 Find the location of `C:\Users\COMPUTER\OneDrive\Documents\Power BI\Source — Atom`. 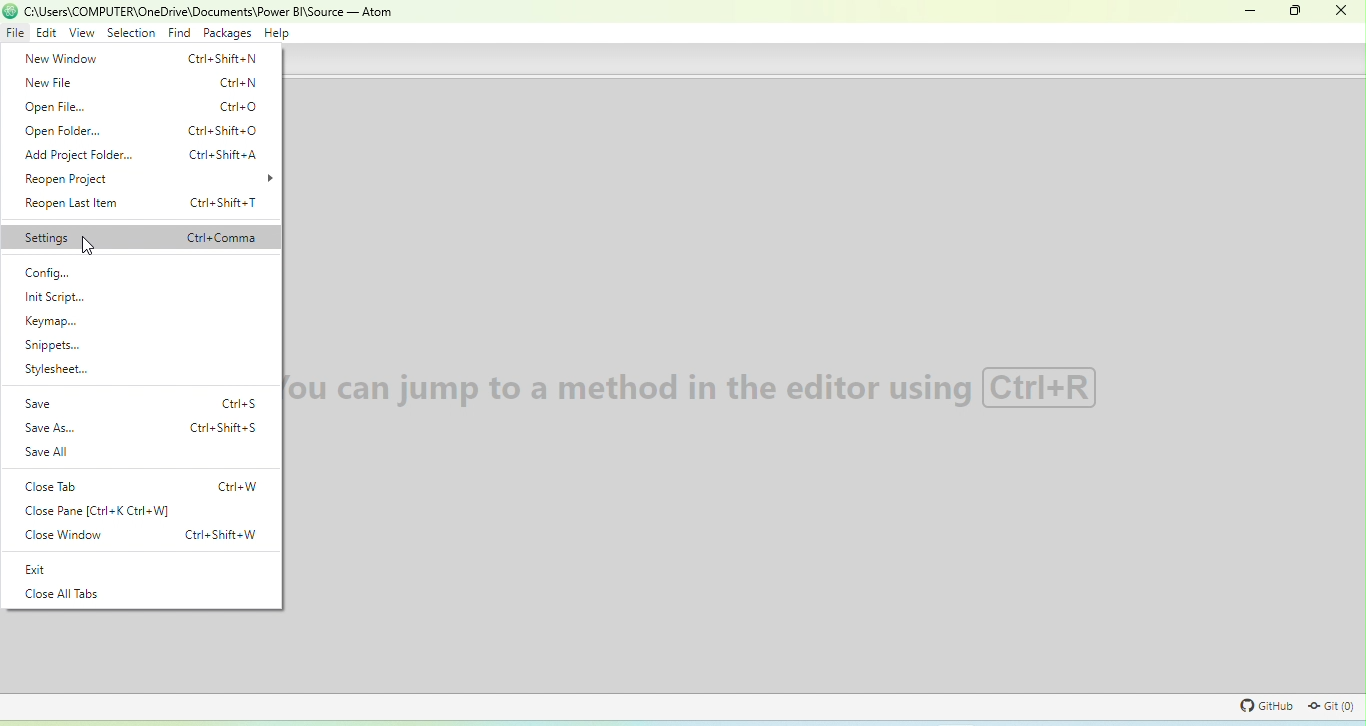

C:\Users\COMPUTER\OneDrive\Documents\Power BI\Source — Atom is located at coordinates (211, 11).